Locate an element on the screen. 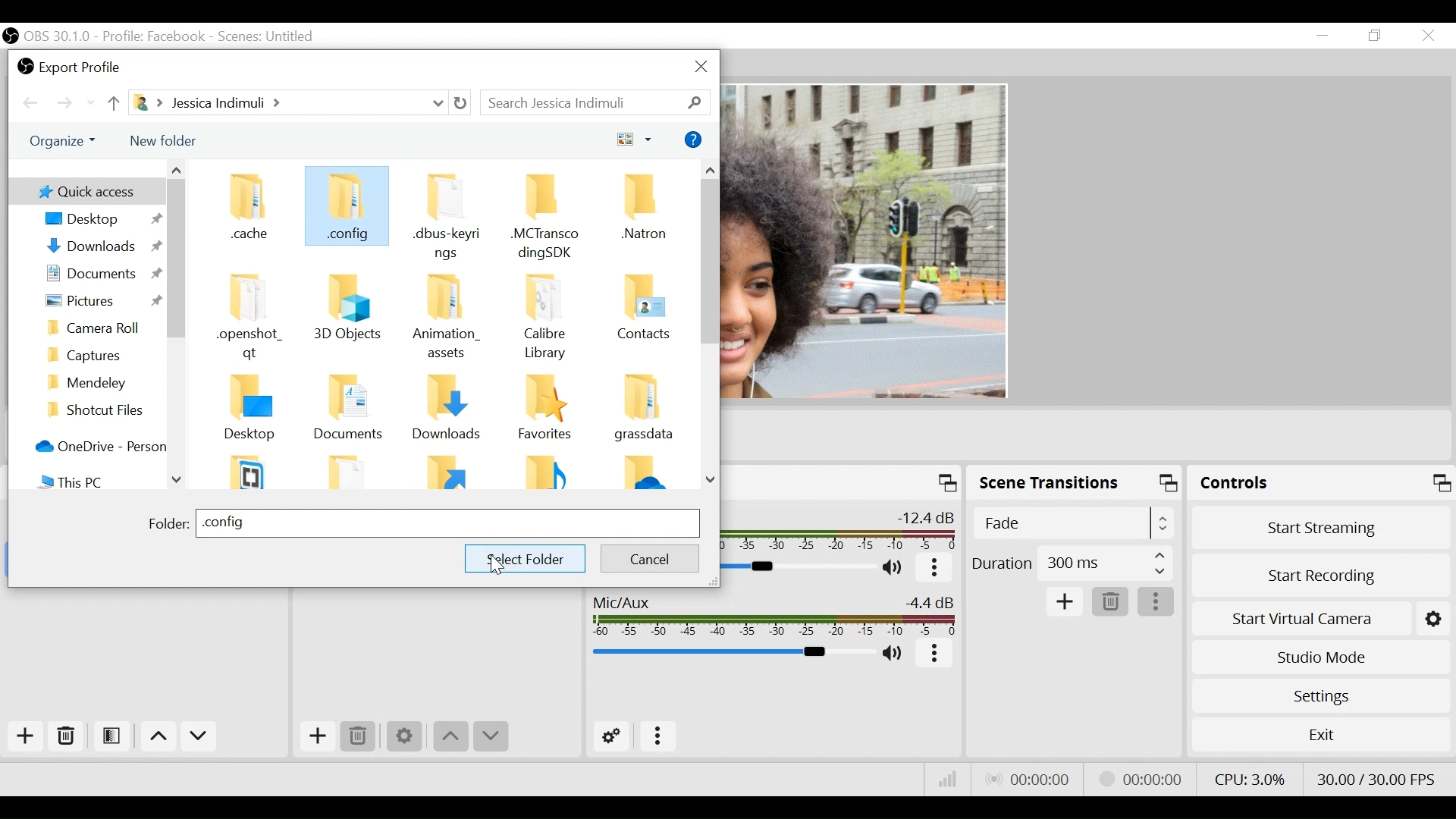 This screenshot has height=819, width=1456. Move back is located at coordinates (34, 104).